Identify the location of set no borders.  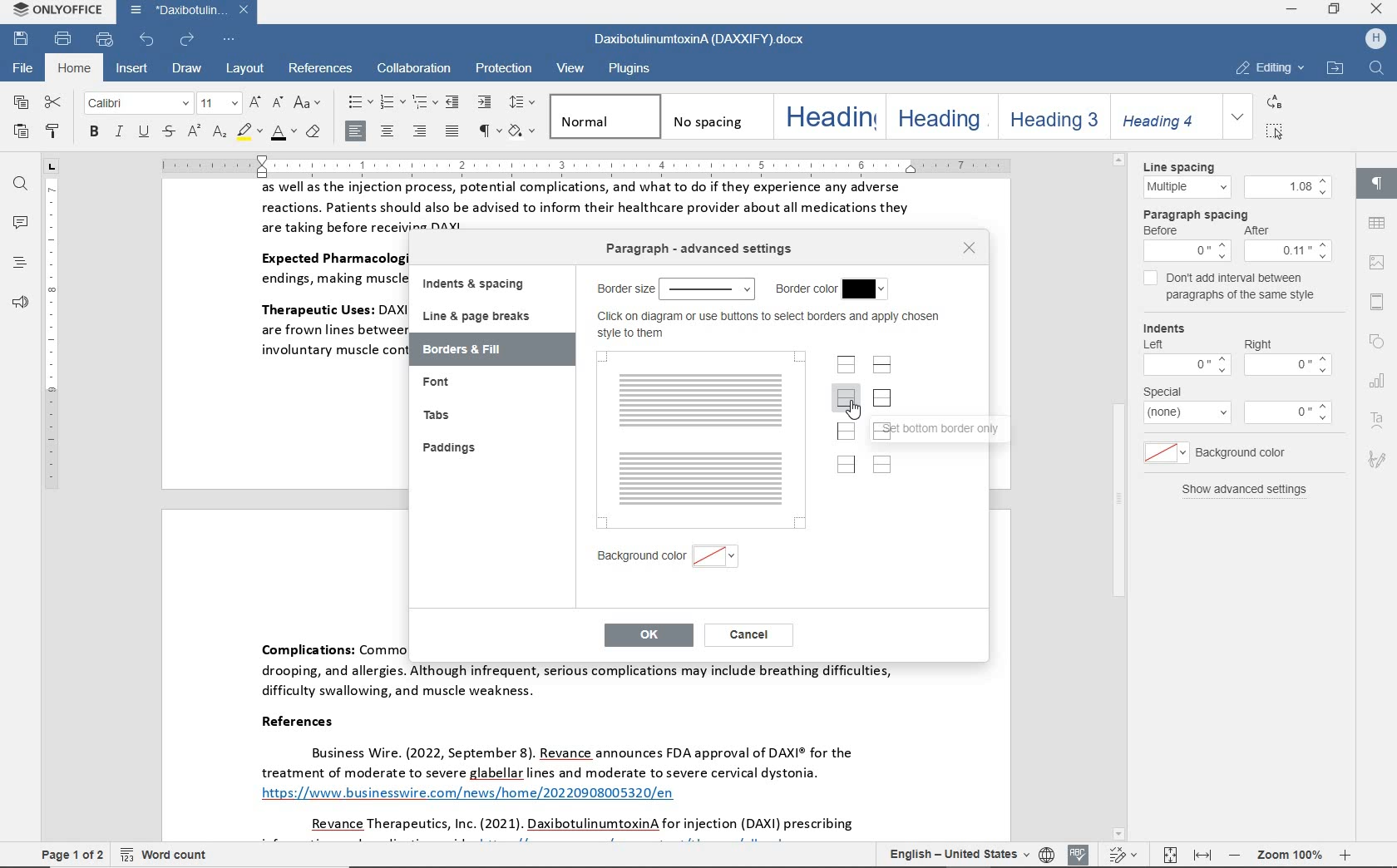
(883, 464).